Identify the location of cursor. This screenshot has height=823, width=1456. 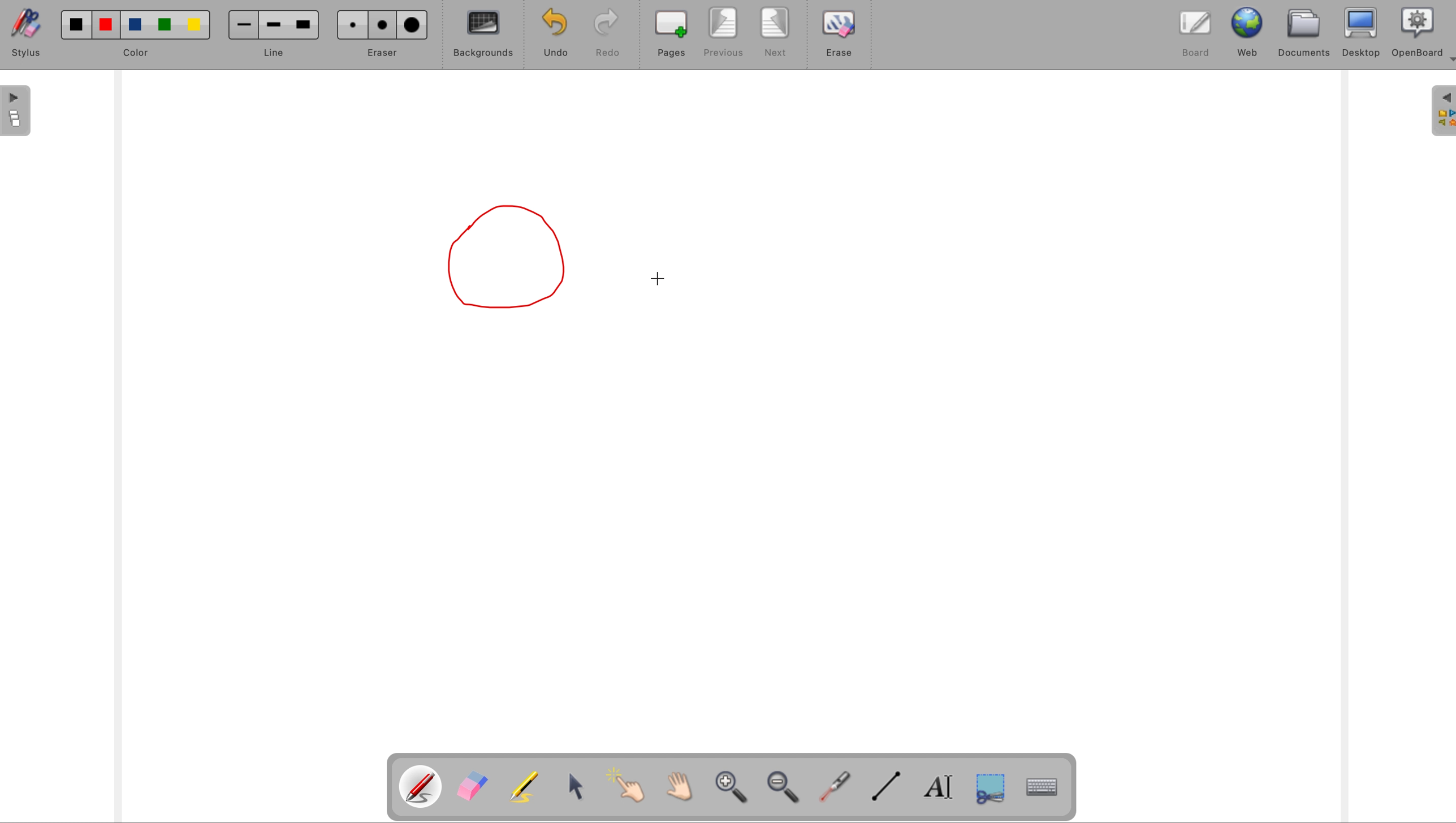
(660, 278).